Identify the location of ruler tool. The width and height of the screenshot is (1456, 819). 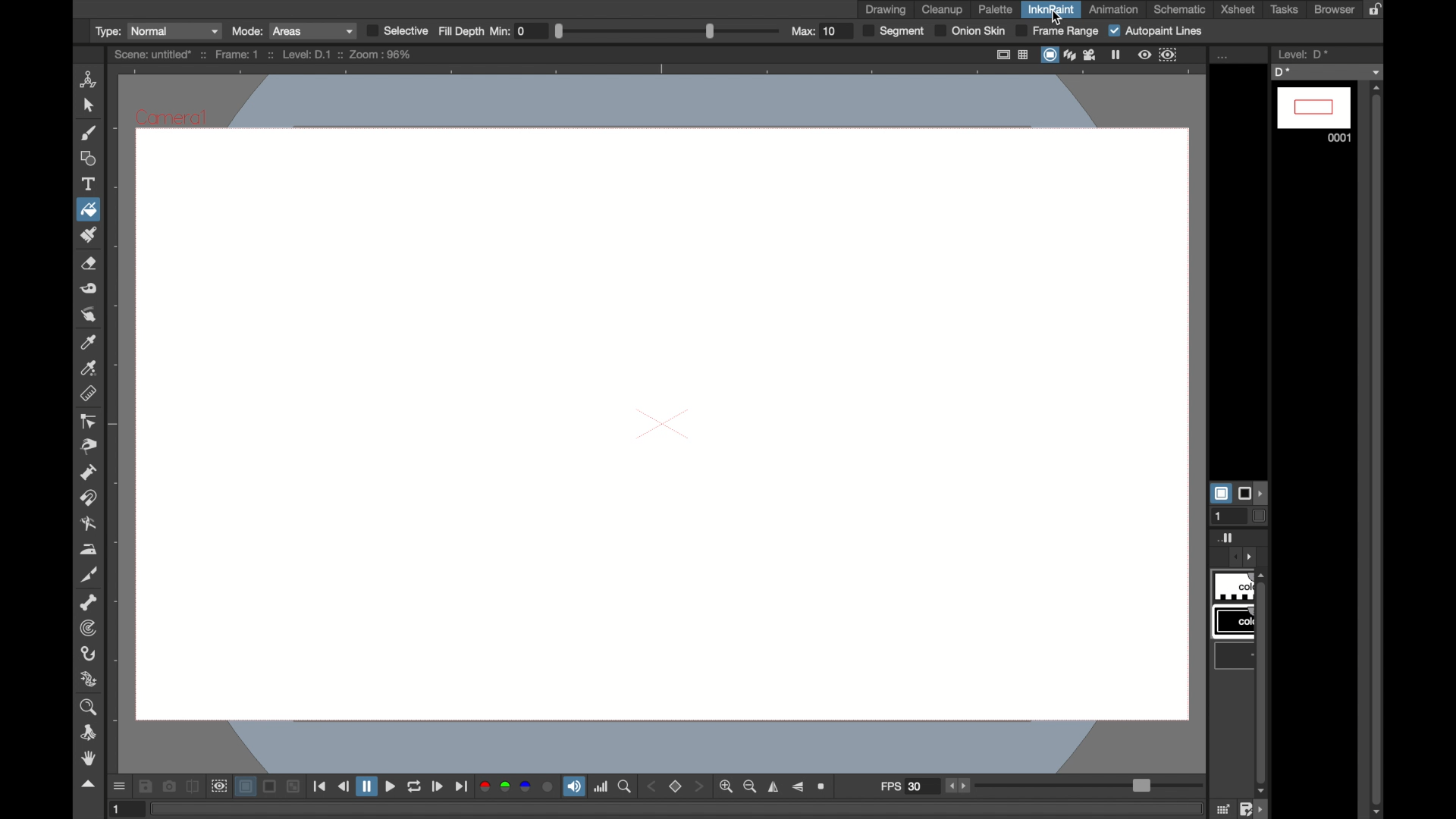
(87, 394).